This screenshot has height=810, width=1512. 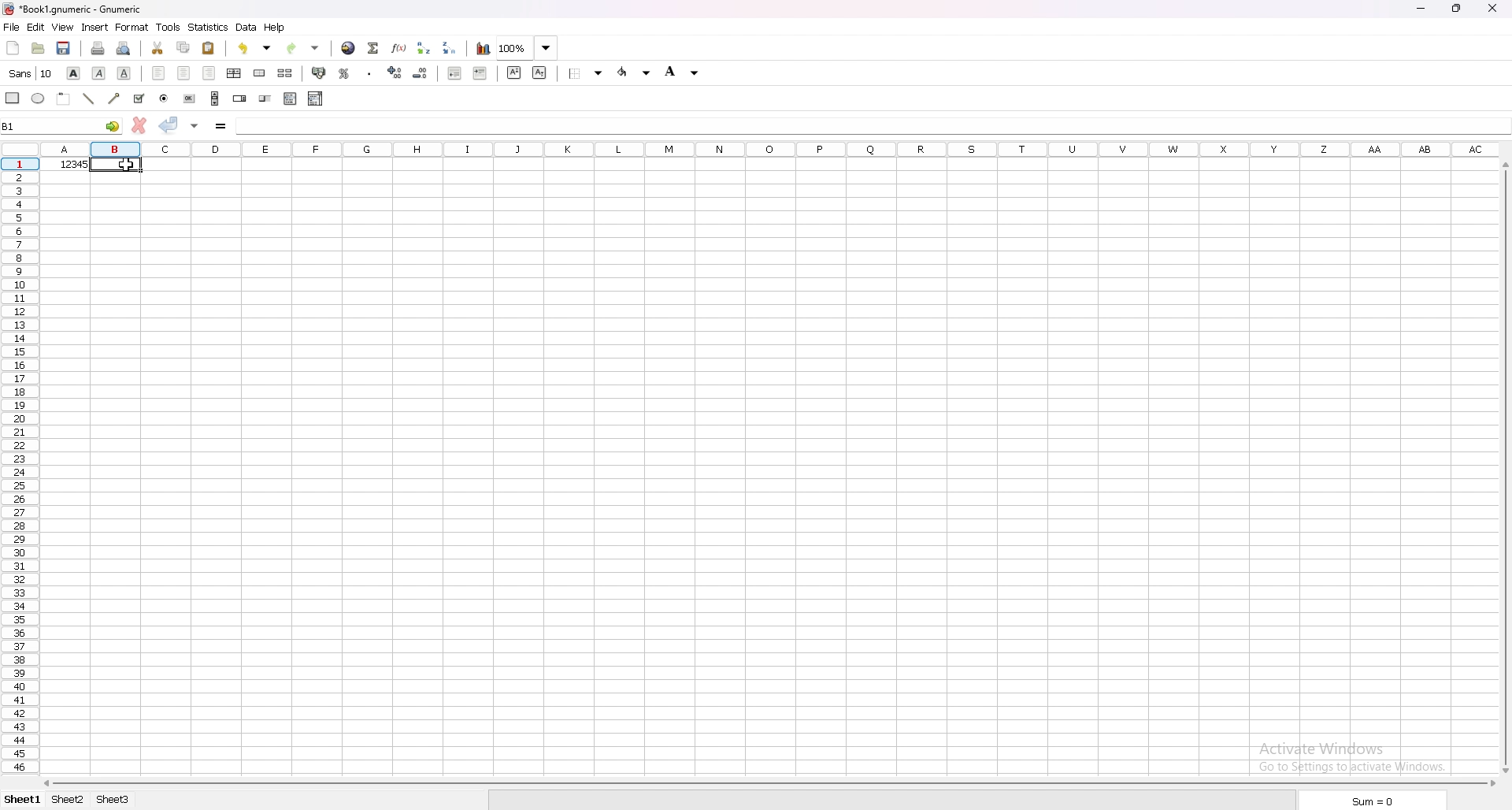 I want to click on accounting, so click(x=319, y=73).